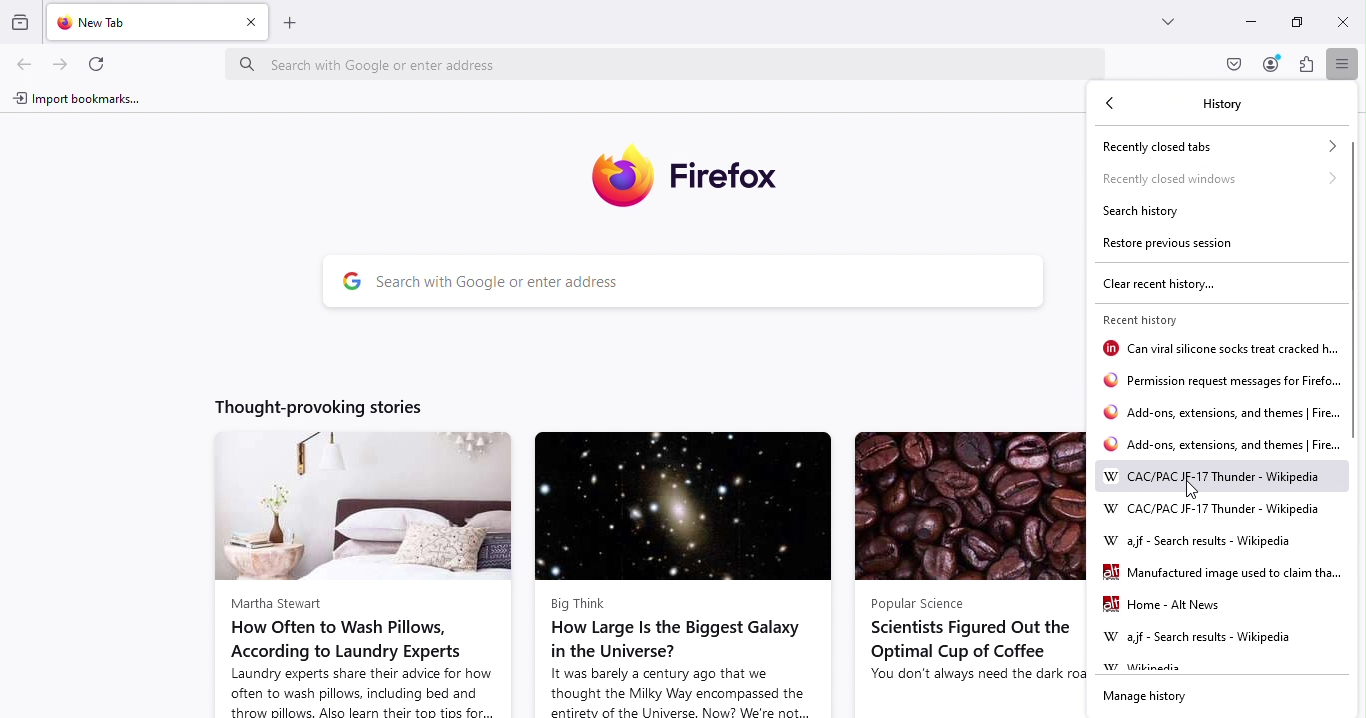  I want to click on Manage history, so click(1148, 697).